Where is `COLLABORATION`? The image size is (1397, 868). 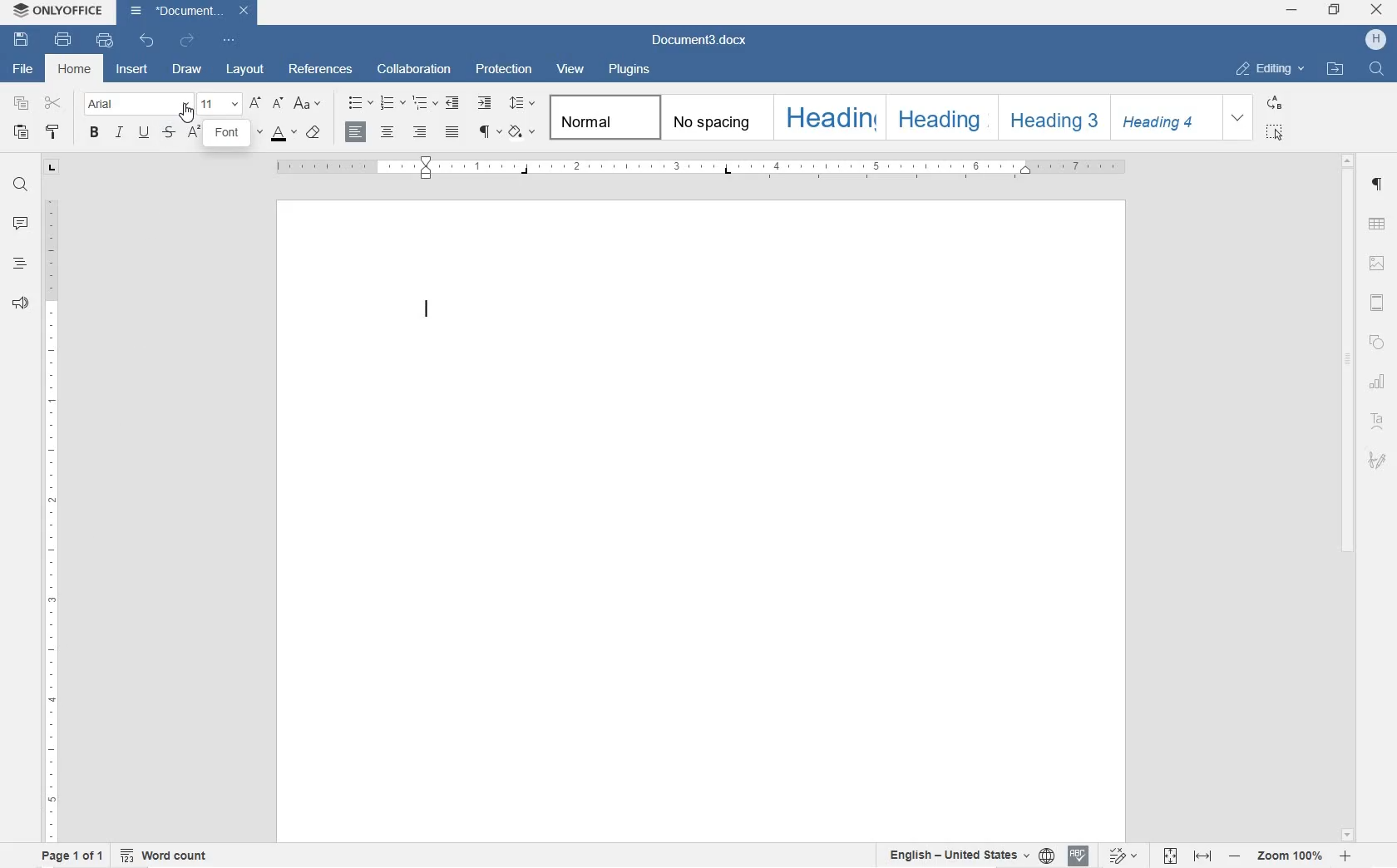 COLLABORATION is located at coordinates (418, 67).